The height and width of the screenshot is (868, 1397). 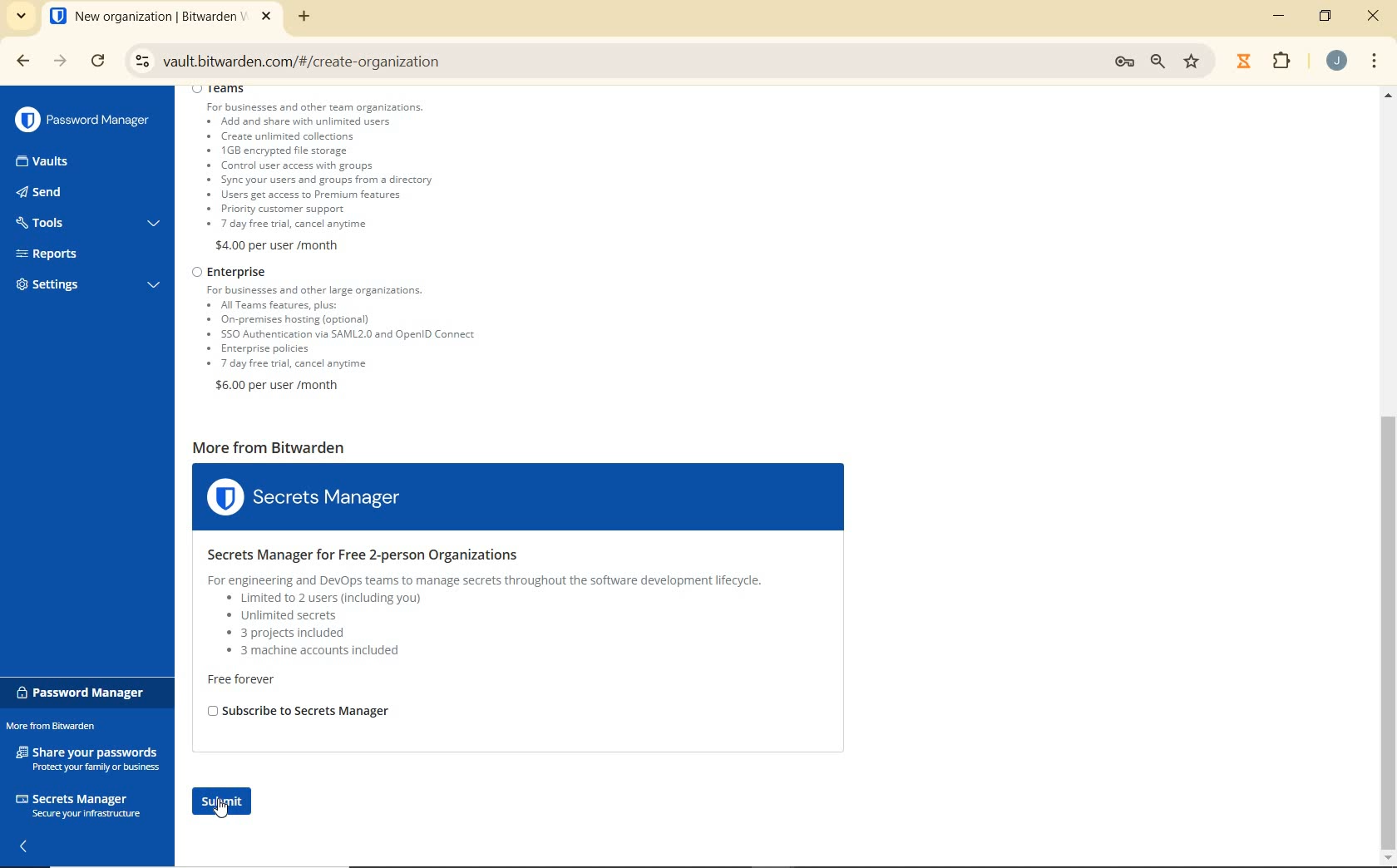 I want to click on reload, so click(x=100, y=62).